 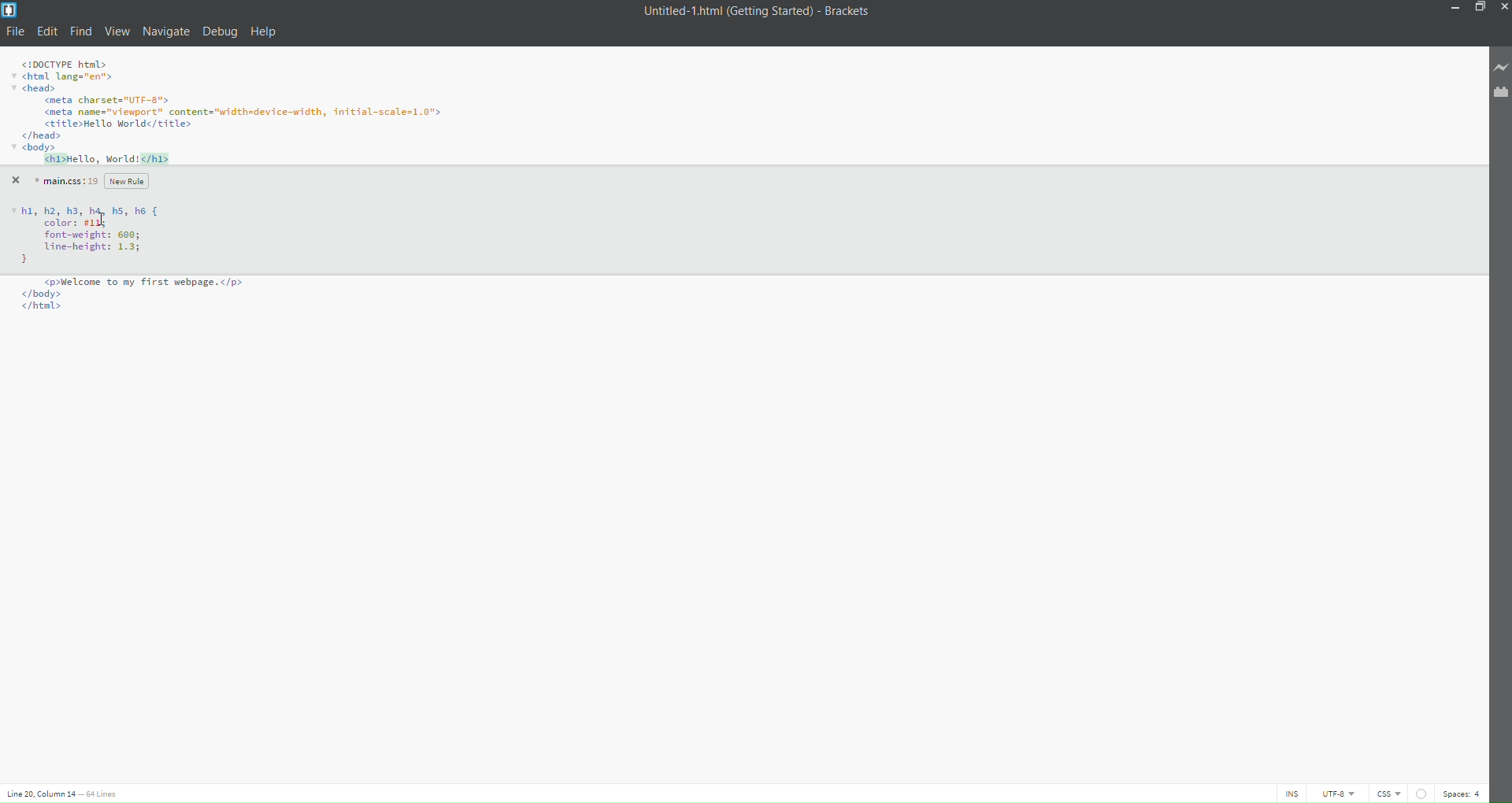 What do you see at coordinates (117, 31) in the screenshot?
I see `view` at bounding box center [117, 31].